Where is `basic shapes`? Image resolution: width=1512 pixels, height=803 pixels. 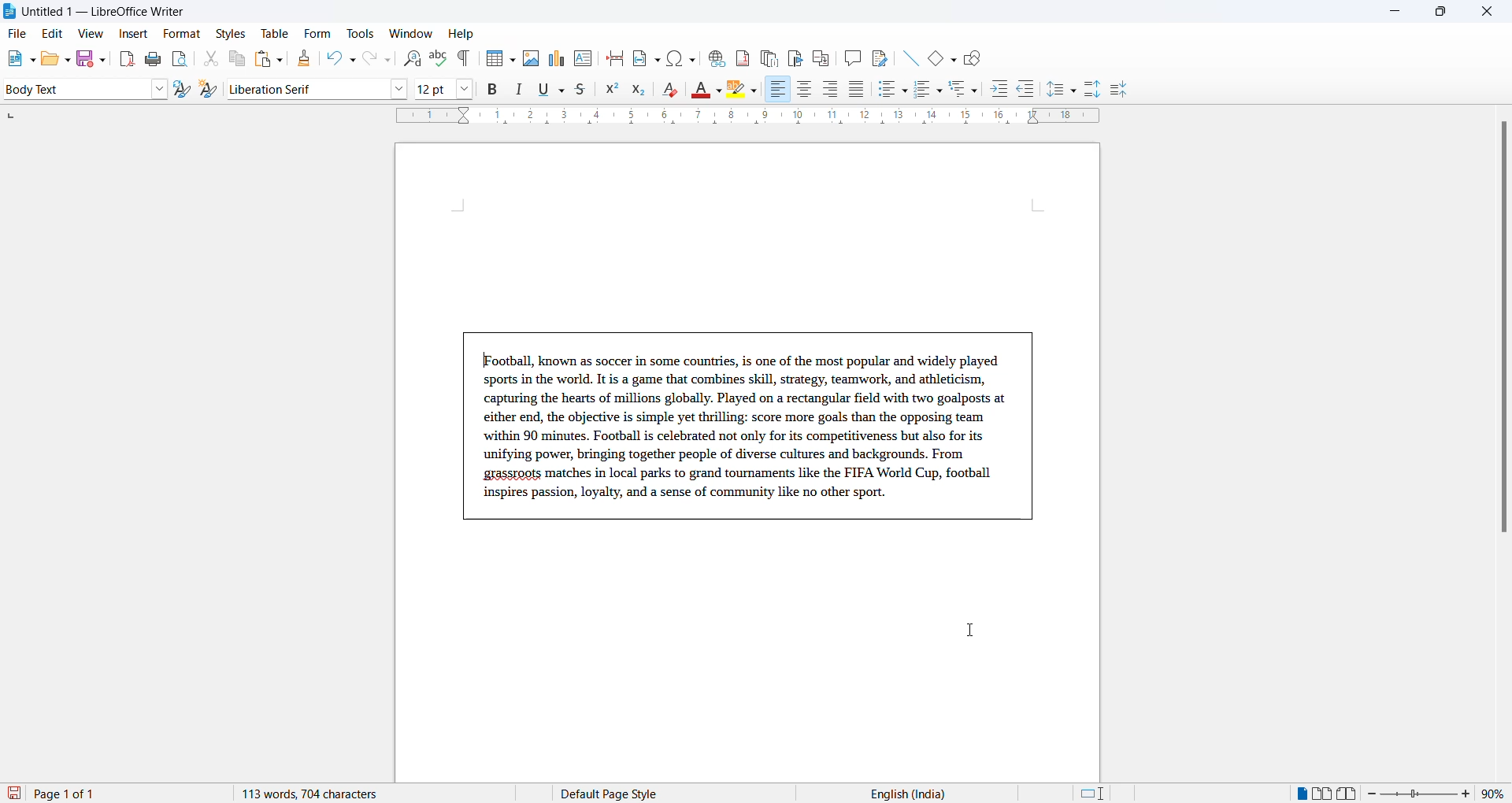 basic shapes is located at coordinates (938, 56).